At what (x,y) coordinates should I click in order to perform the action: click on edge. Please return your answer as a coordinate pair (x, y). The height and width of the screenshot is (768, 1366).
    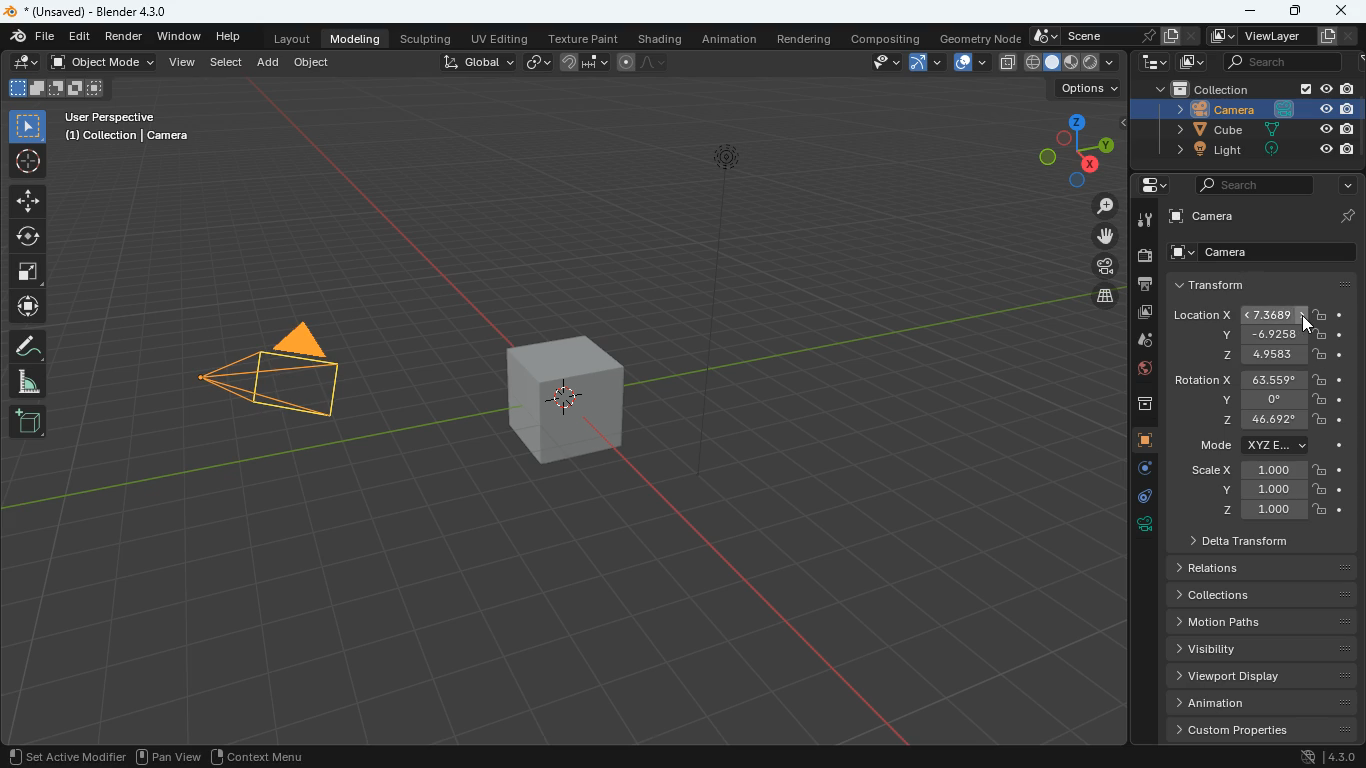
    Looking at the image, I should click on (1136, 498).